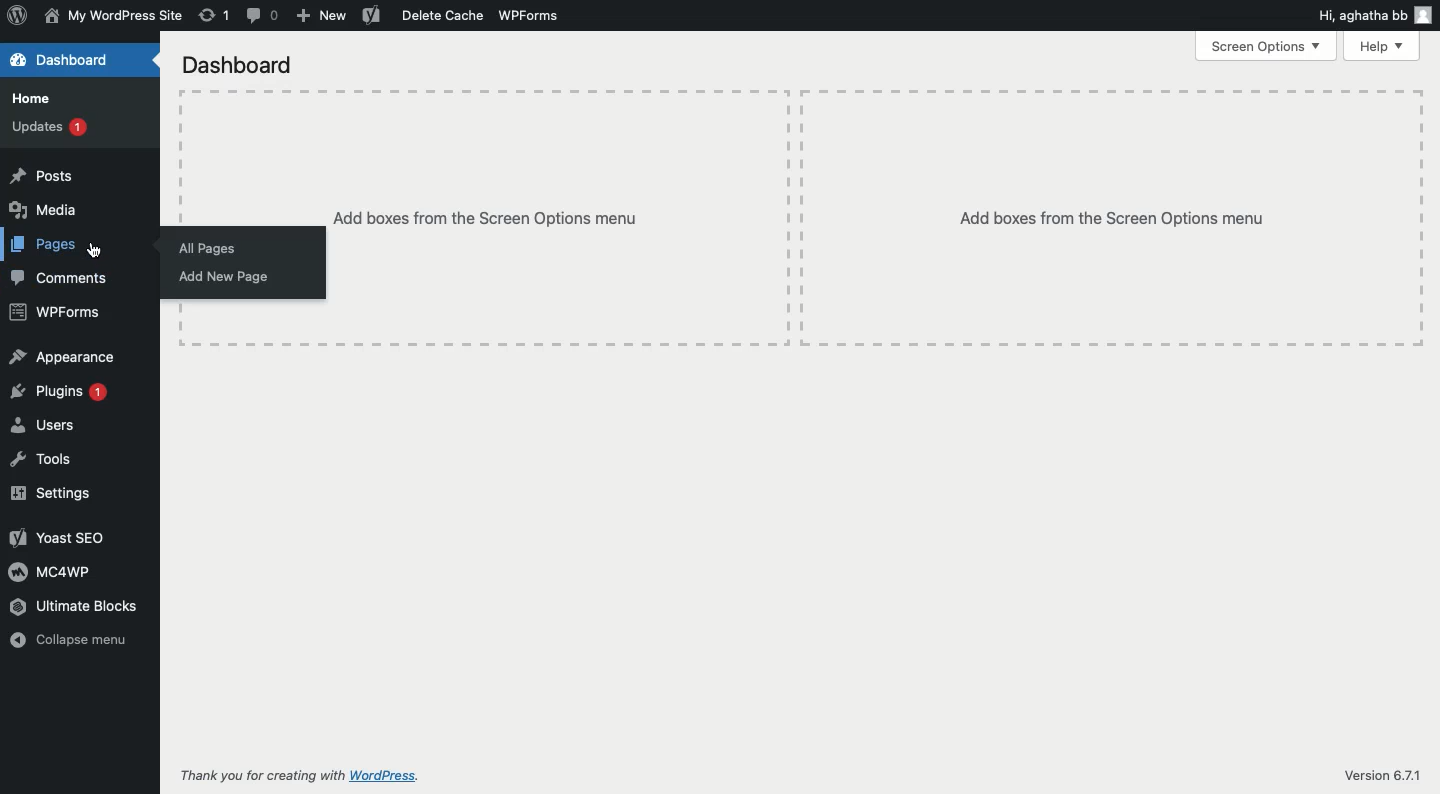 The width and height of the screenshot is (1440, 794). What do you see at coordinates (18, 17) in the screenshot?
I see `Logo` at bounding box center [18, 17].